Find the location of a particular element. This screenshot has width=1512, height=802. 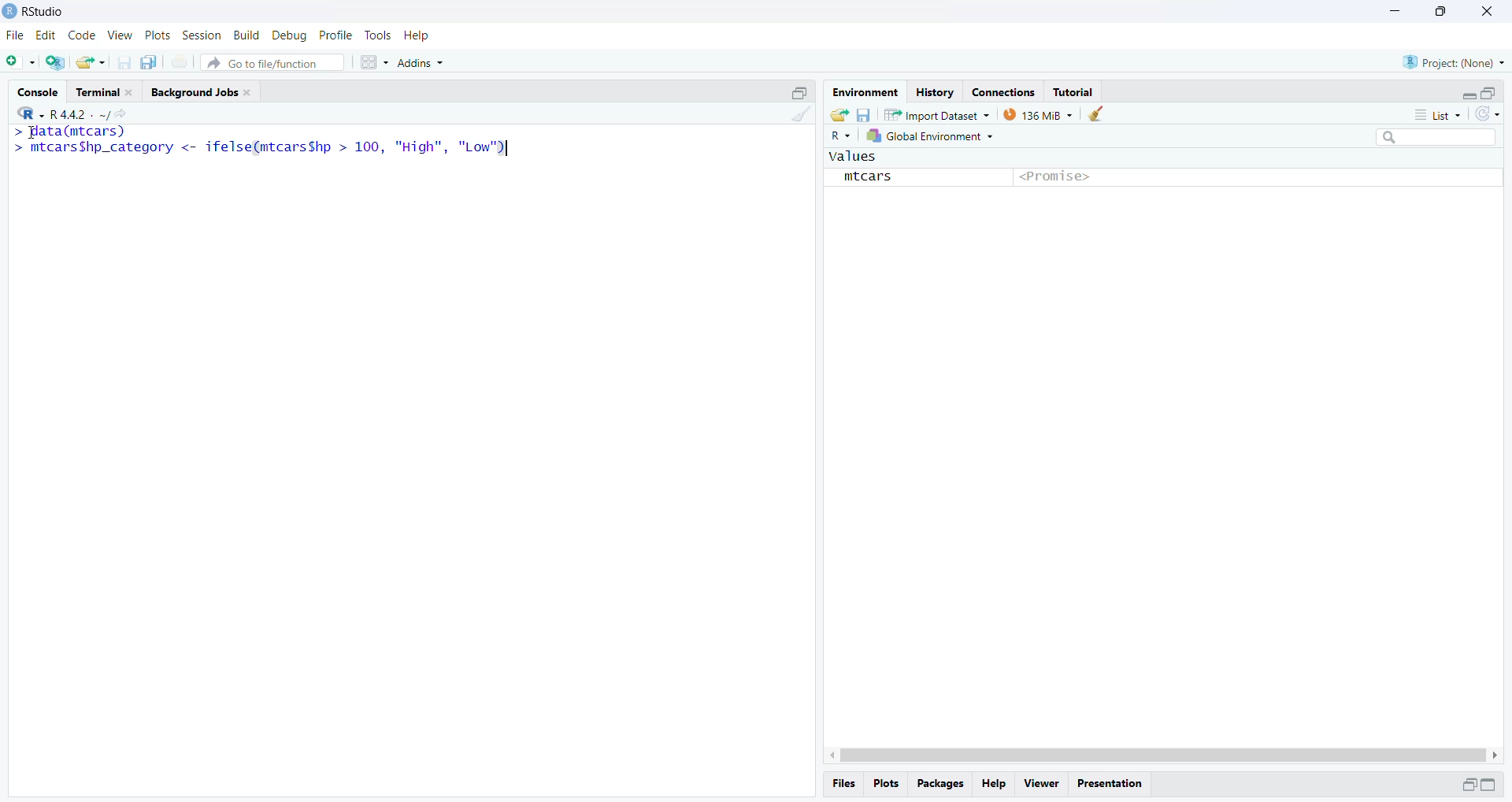

So TCSP ES Sh.
> mtcarsShp_category <- ifelse(mtcarsShp > 100, "High", "Low")| is located at coordinates (282, 144).